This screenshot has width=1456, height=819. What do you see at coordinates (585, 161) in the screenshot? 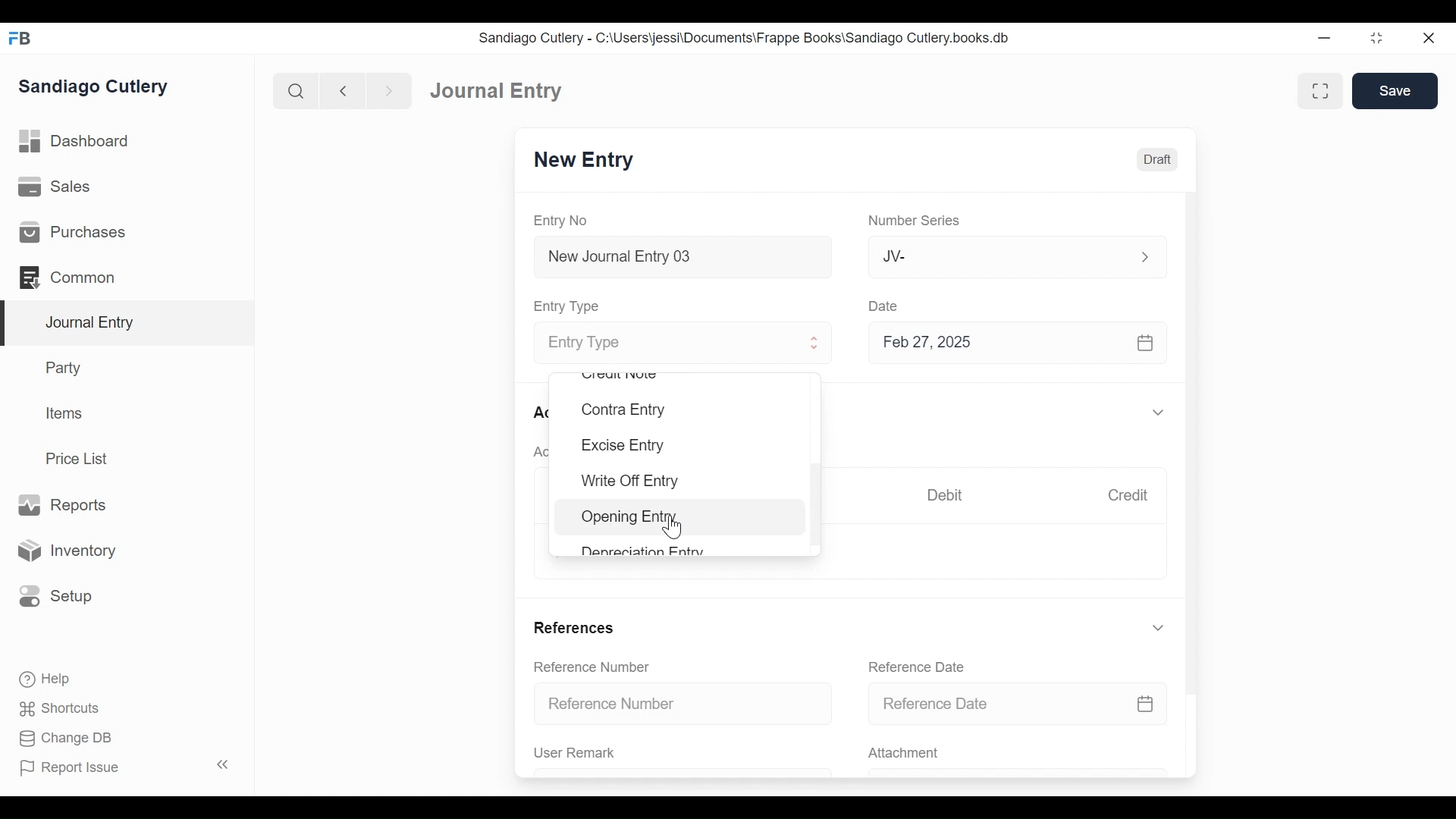
I see `New Entry` at bounding box center [585, 161].